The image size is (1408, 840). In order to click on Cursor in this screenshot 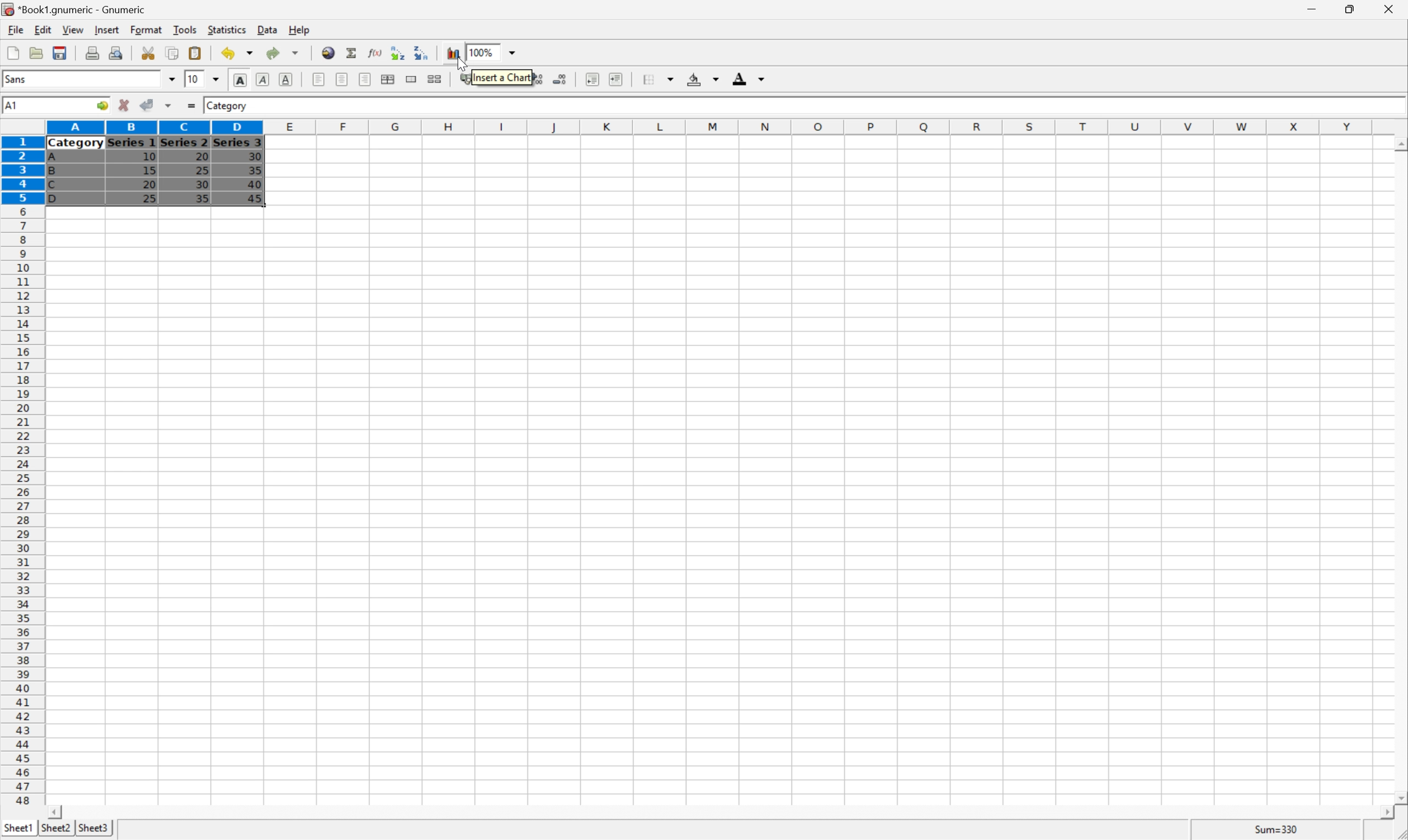, I will do `click(460, 63)`.